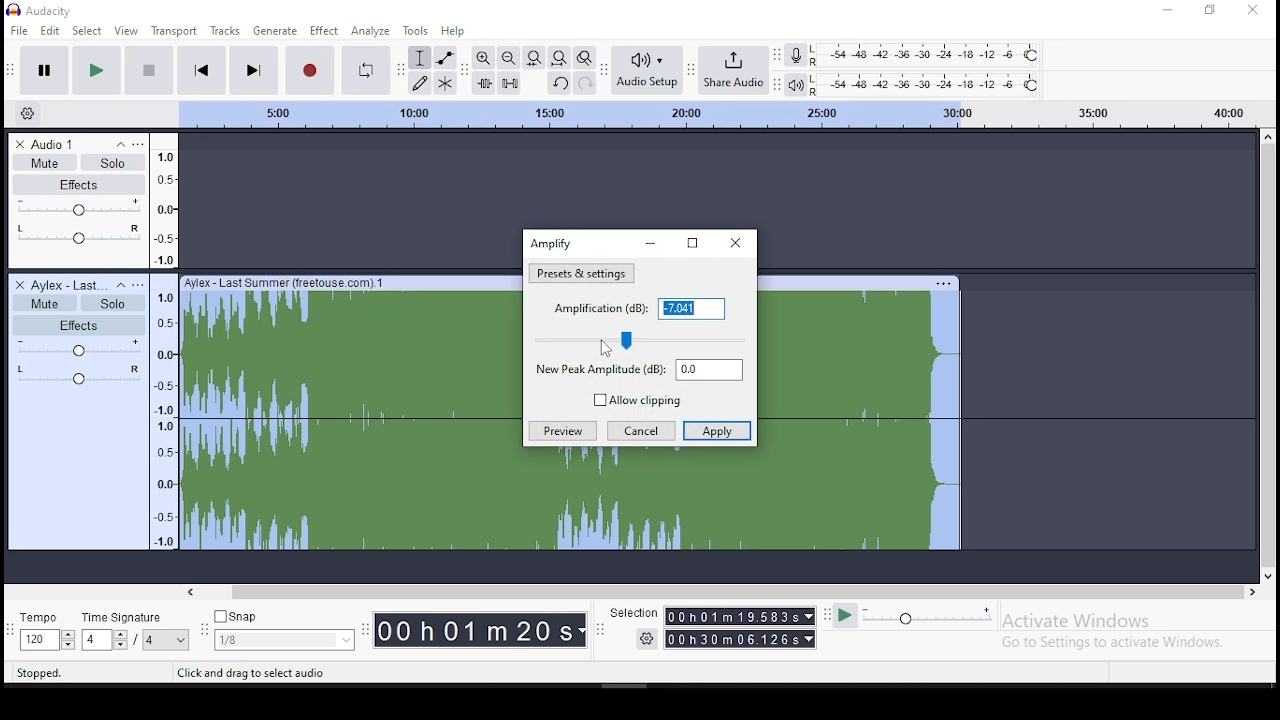 This screenshot has height=720, width=1280. Describe the element at coordinates (1165, 10) in the screenshot. I see `minimize` at that location.